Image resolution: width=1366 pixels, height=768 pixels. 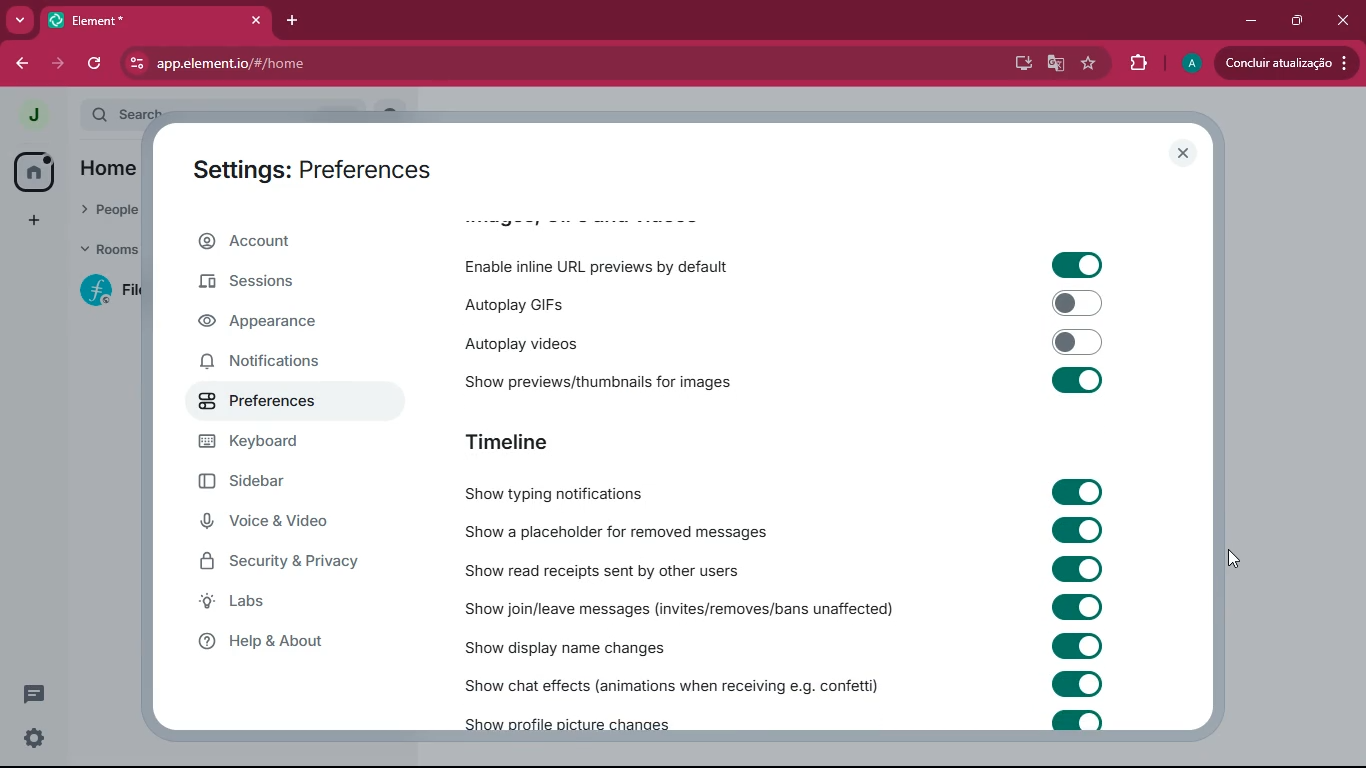 I want to click on toggle on/off, so click(x=1078, y=342).